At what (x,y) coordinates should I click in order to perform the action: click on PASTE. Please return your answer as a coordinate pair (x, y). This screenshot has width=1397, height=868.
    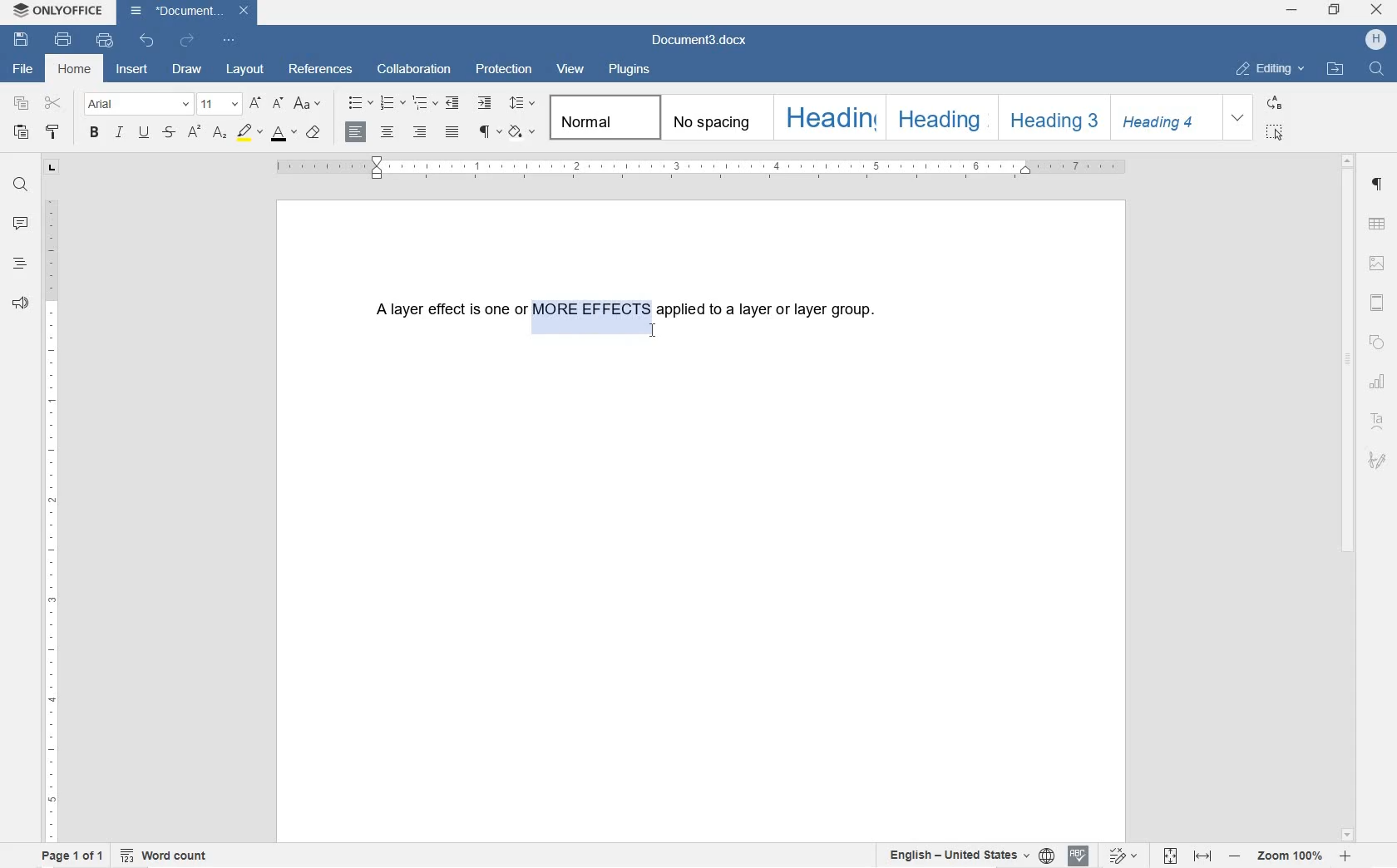
    Looking at the image, I should click on (20, 131).